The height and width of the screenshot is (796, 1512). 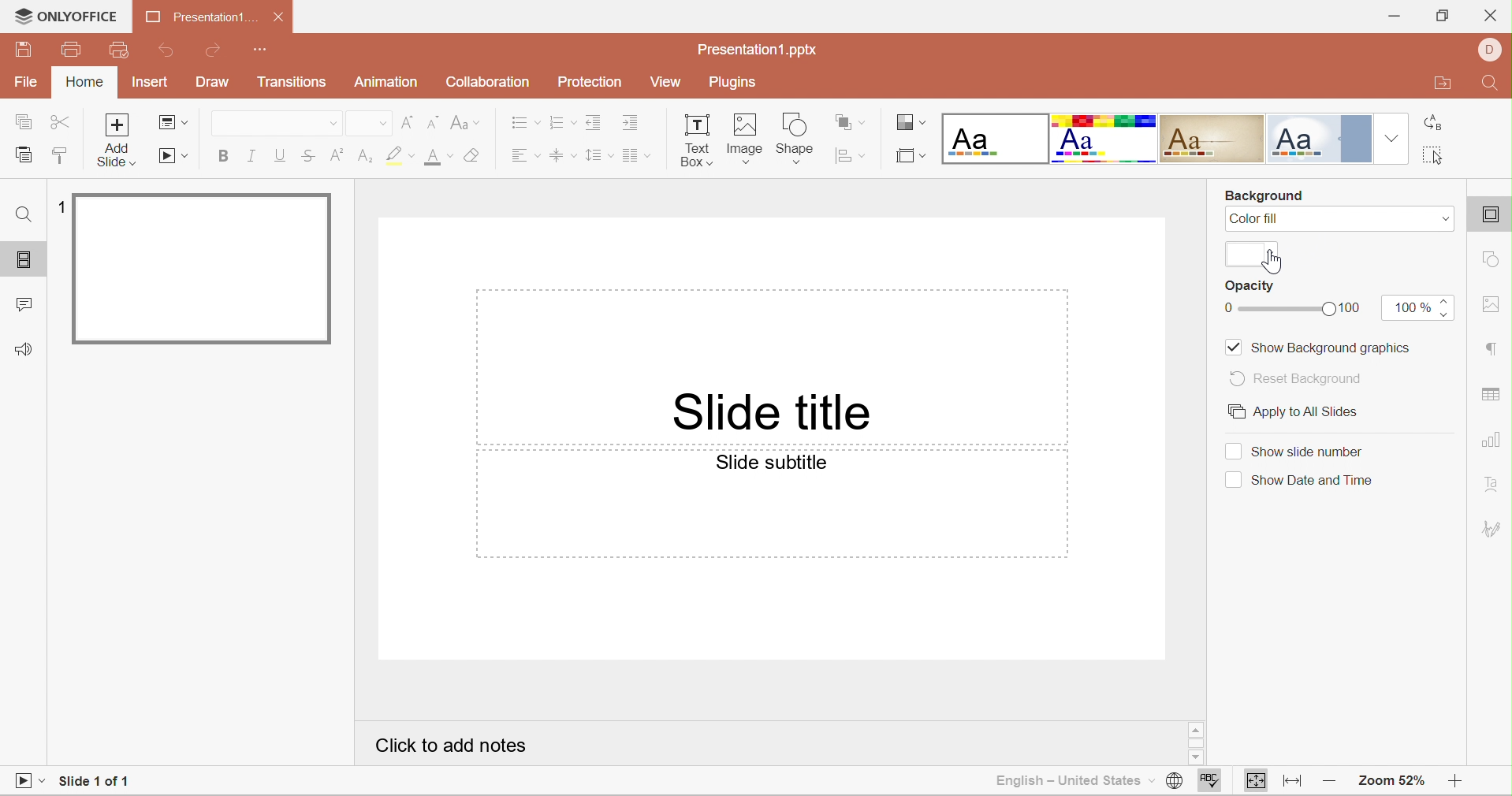 What do you see at coordinates (226, 154) in the screenshot?
I see `Bold` at bounding box center [226, 154].